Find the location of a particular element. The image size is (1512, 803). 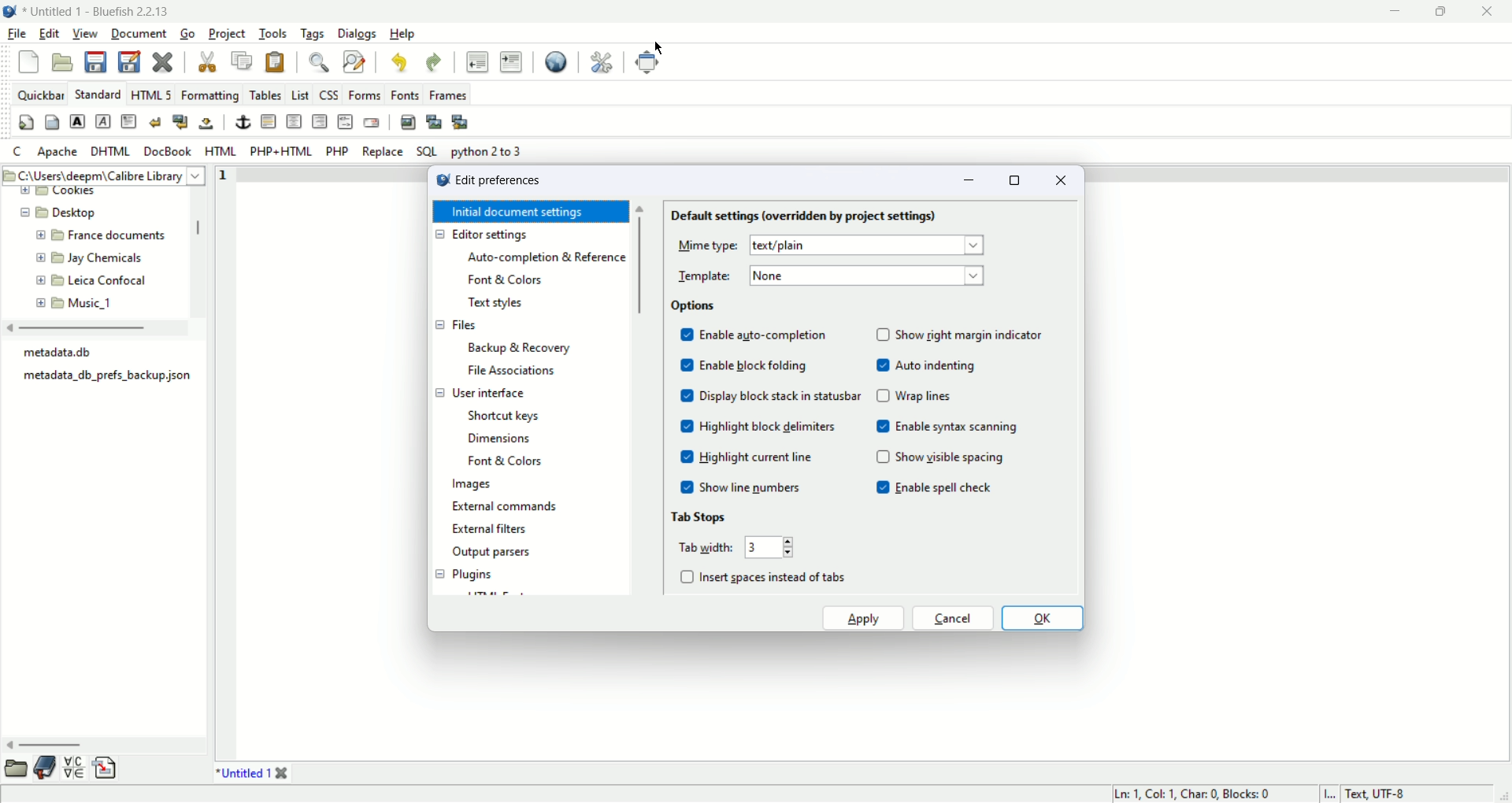

ok is located at coordinates (1042, 617).